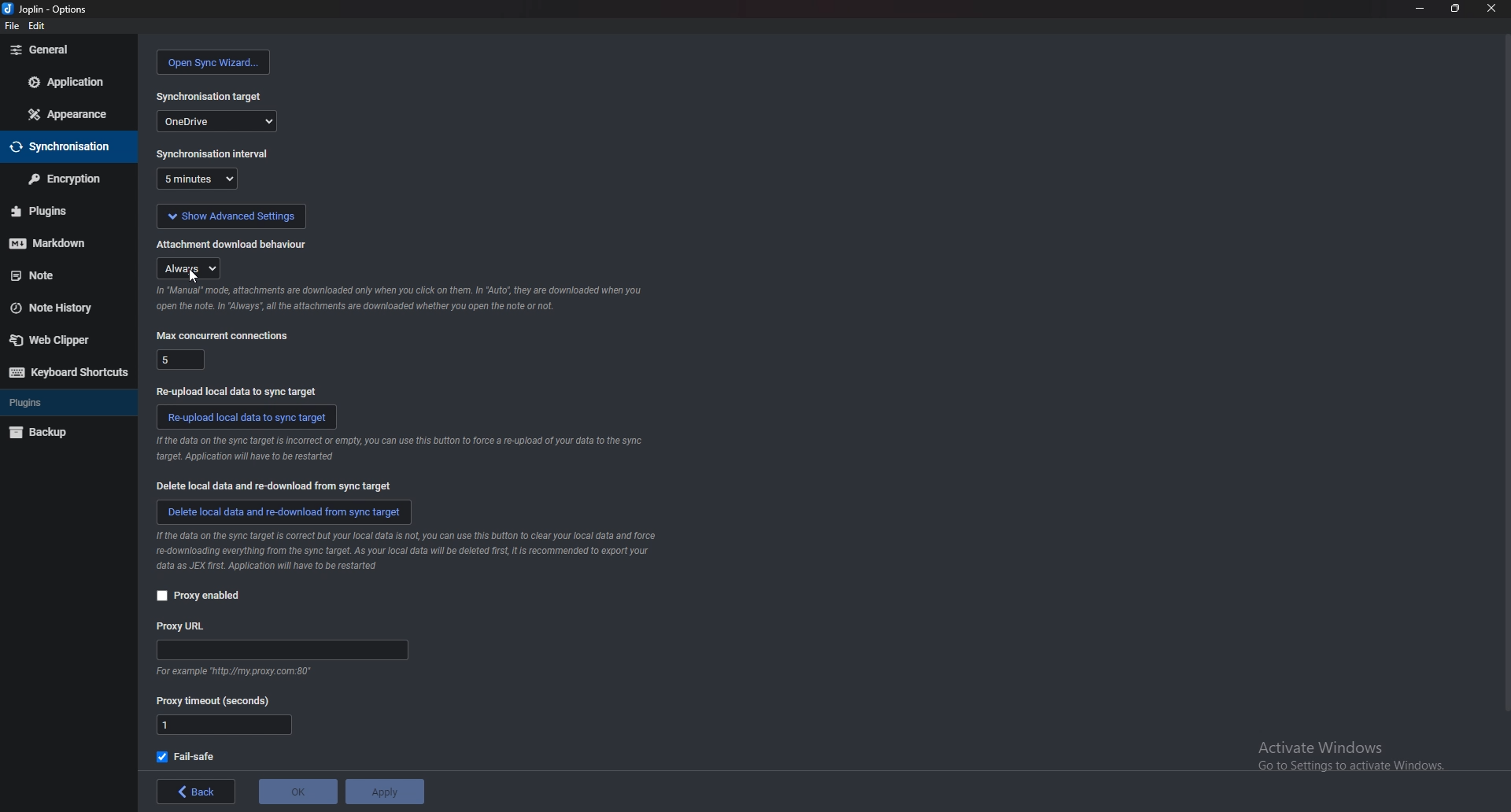 The width and height of the screenshot is (1511, 812). I want to click on proxy timeout, so click(214, 702).